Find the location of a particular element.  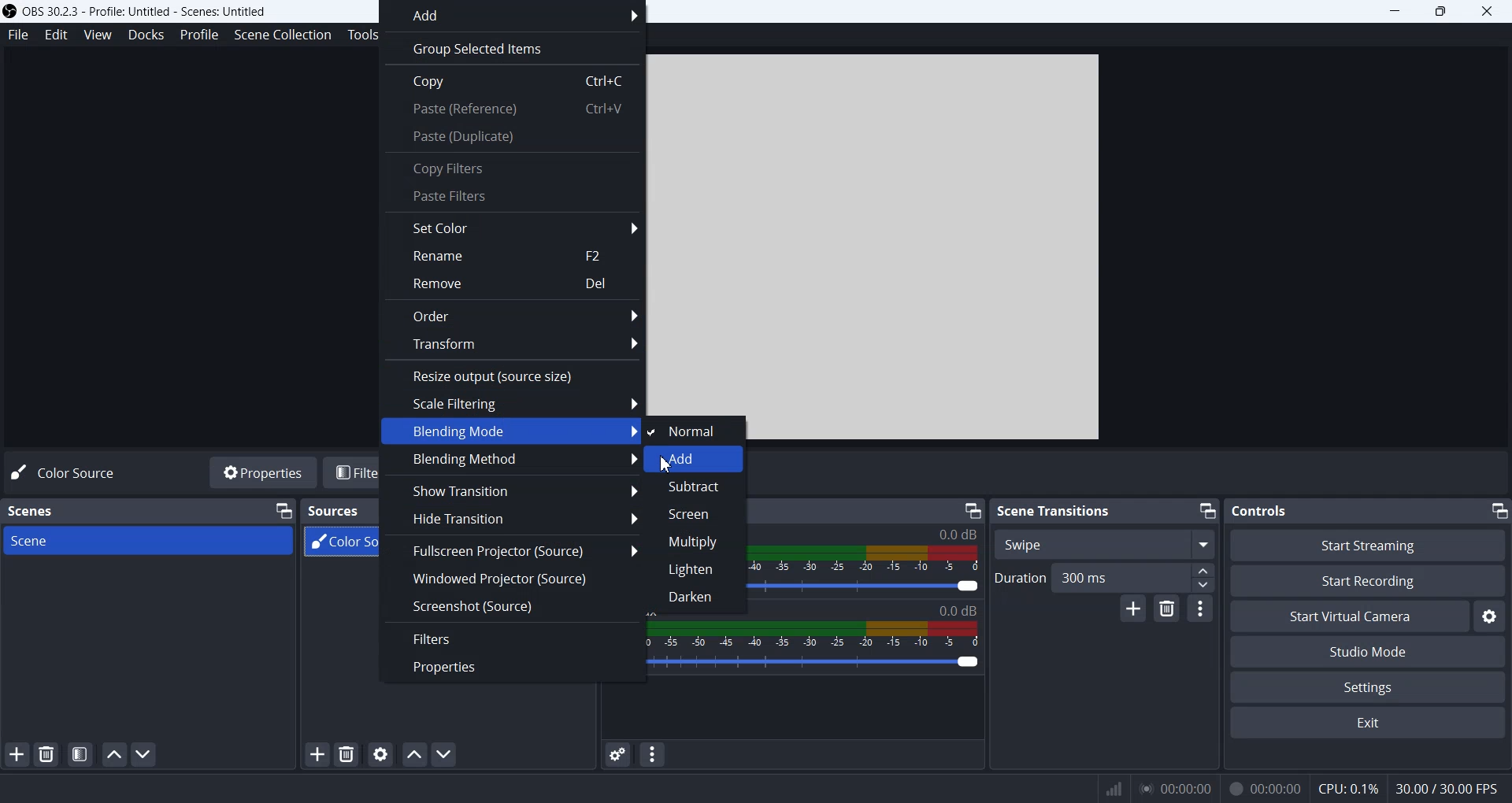

Add configurable transition is located at coordinates (1133, 609).